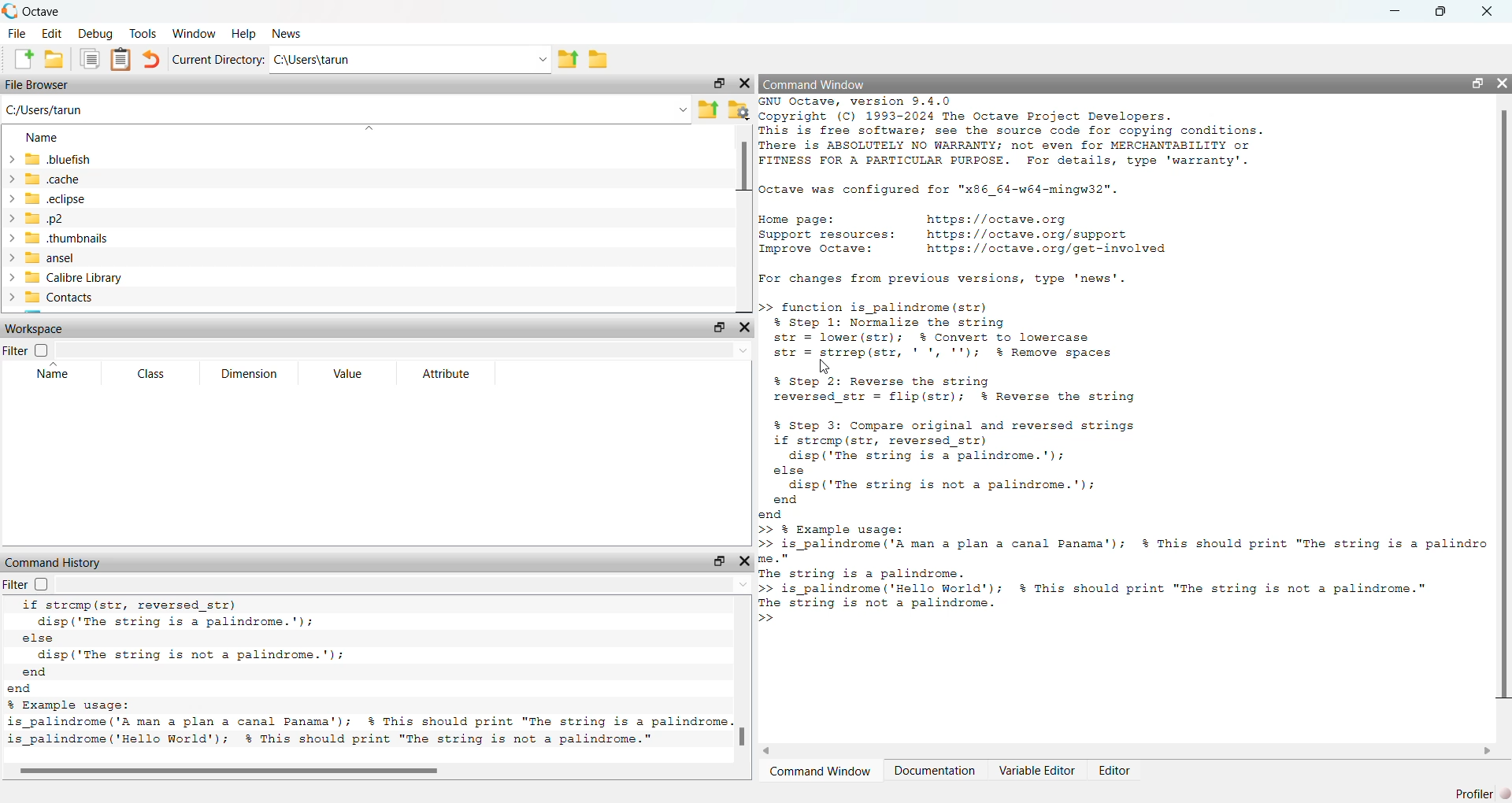  I want to click on details of octave version and copyright, so click(1032, 134).